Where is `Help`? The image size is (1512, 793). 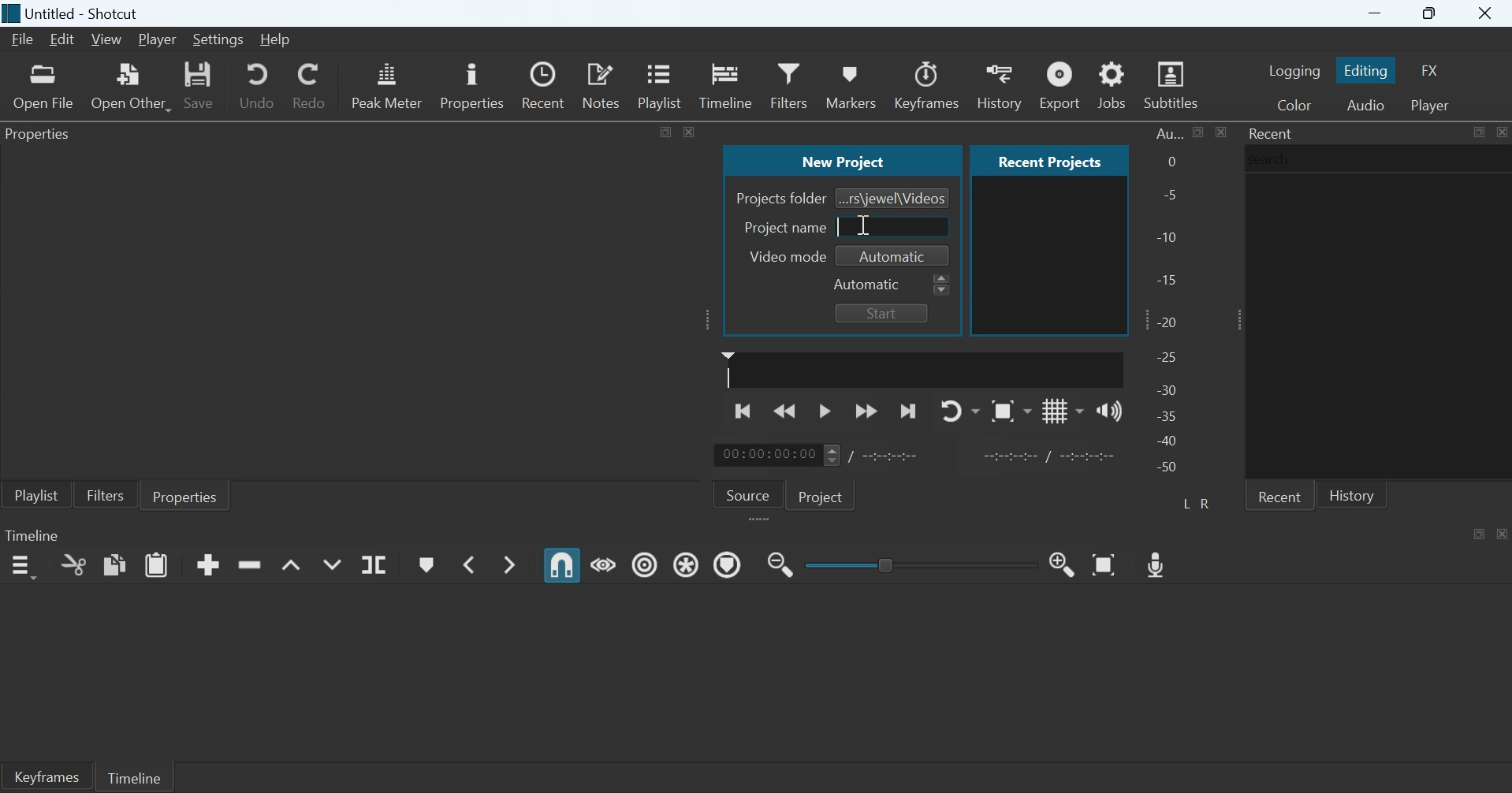 Help is located at coordinates (274, 39).